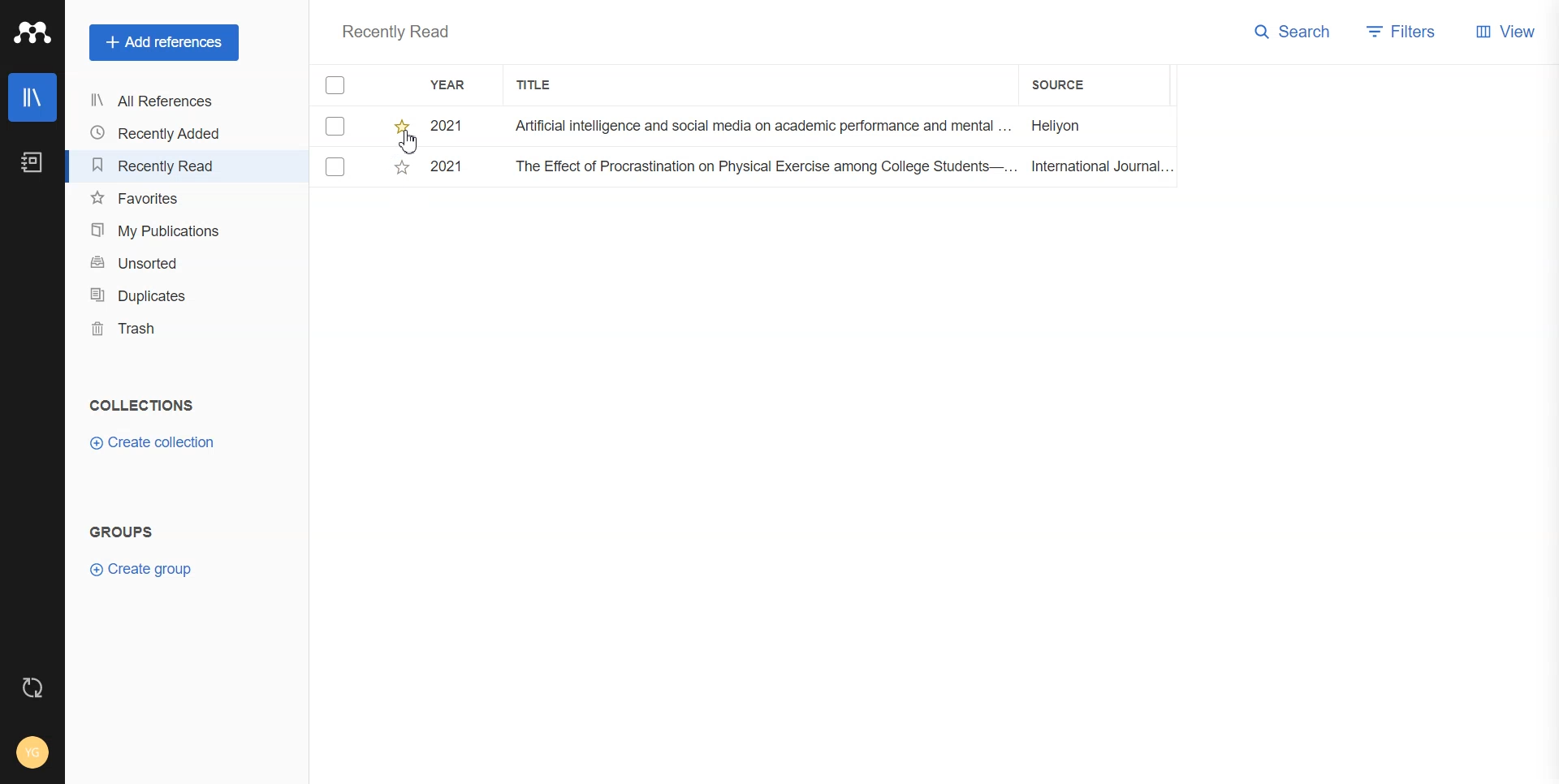 The width and height of the screenshot is (1559, 784). I want to click on Recently added, so click(159, 134).